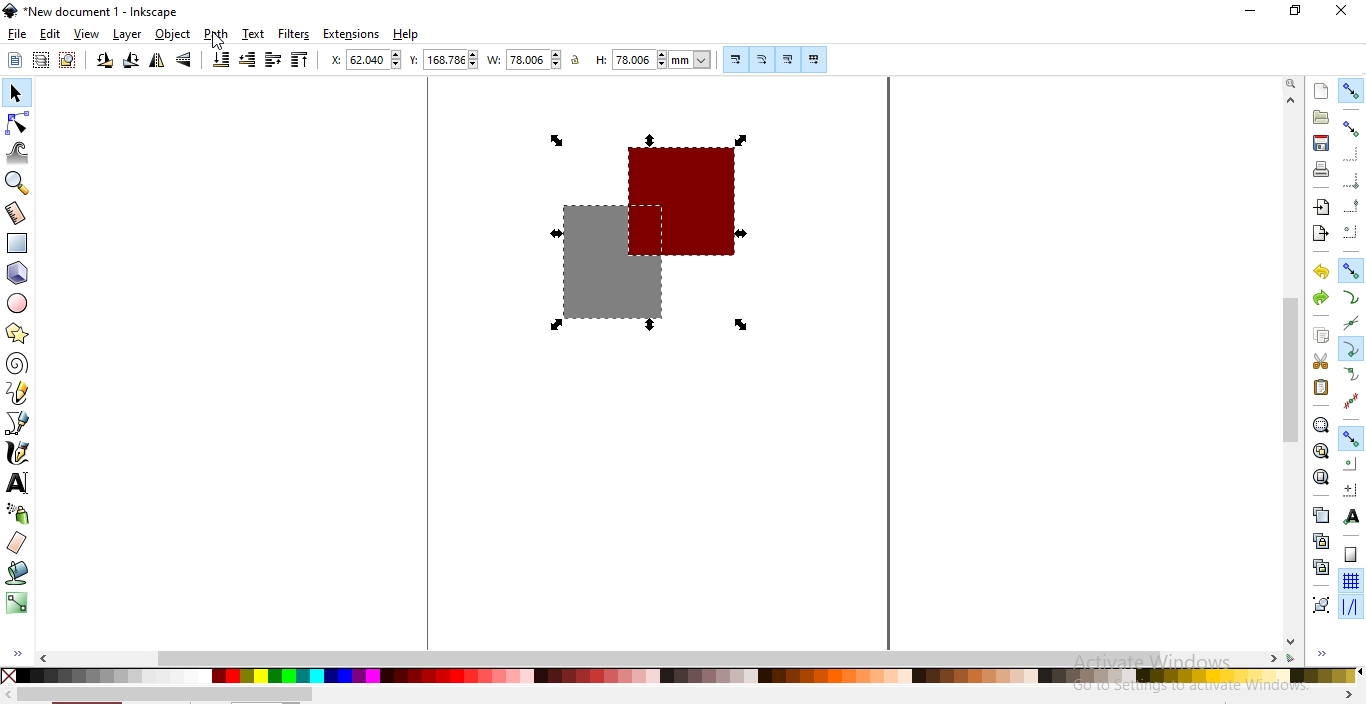 This screenshot has height=704, width=1366. Describe the element at coordinates (16, 95) in the screenshot. I see `select and transform objects` at that location.